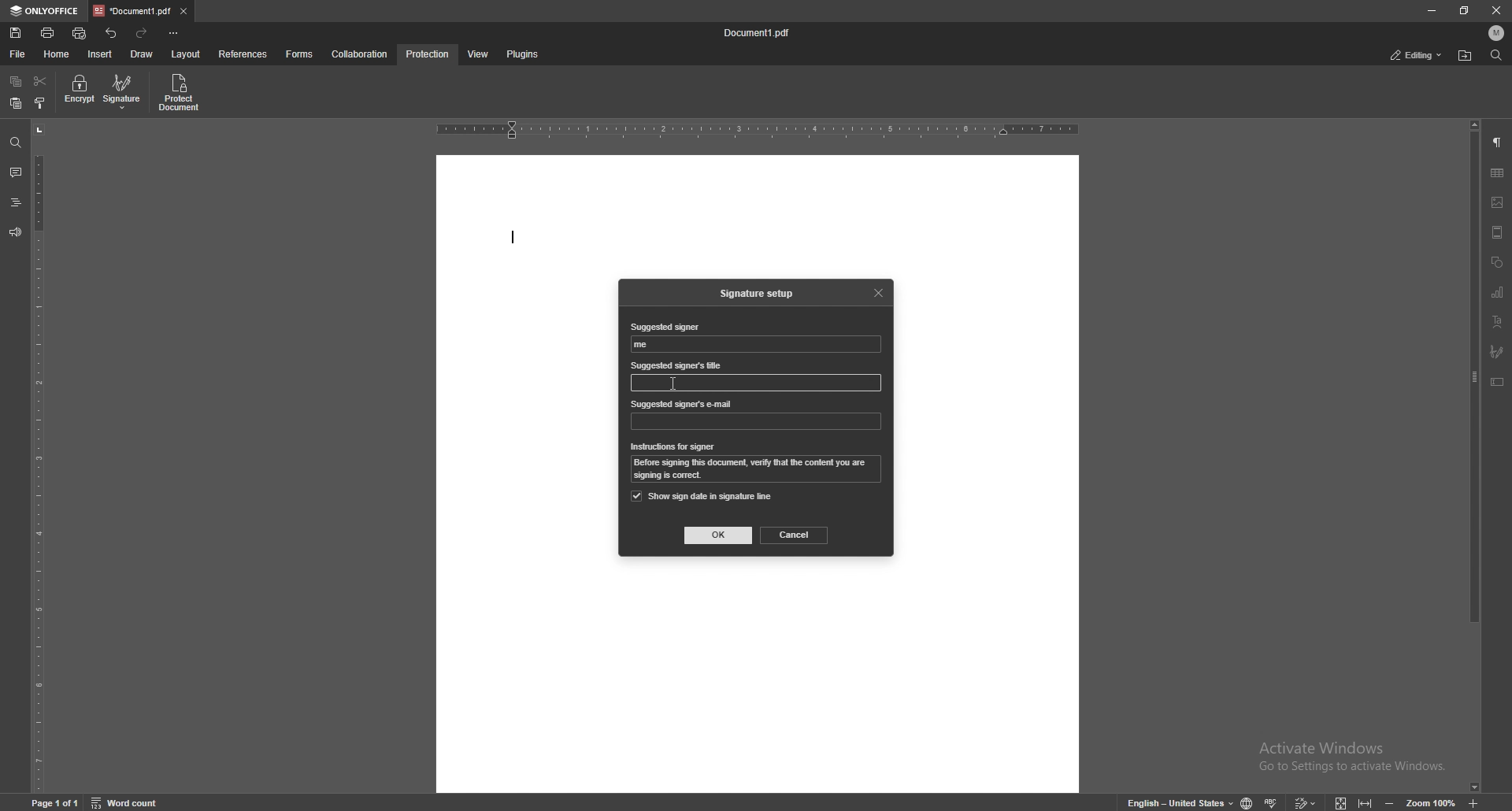 The image size is (1512, 811). Describe the element at coordinates (664, 328) in the screenshot. I see `suggested signer` at that location.